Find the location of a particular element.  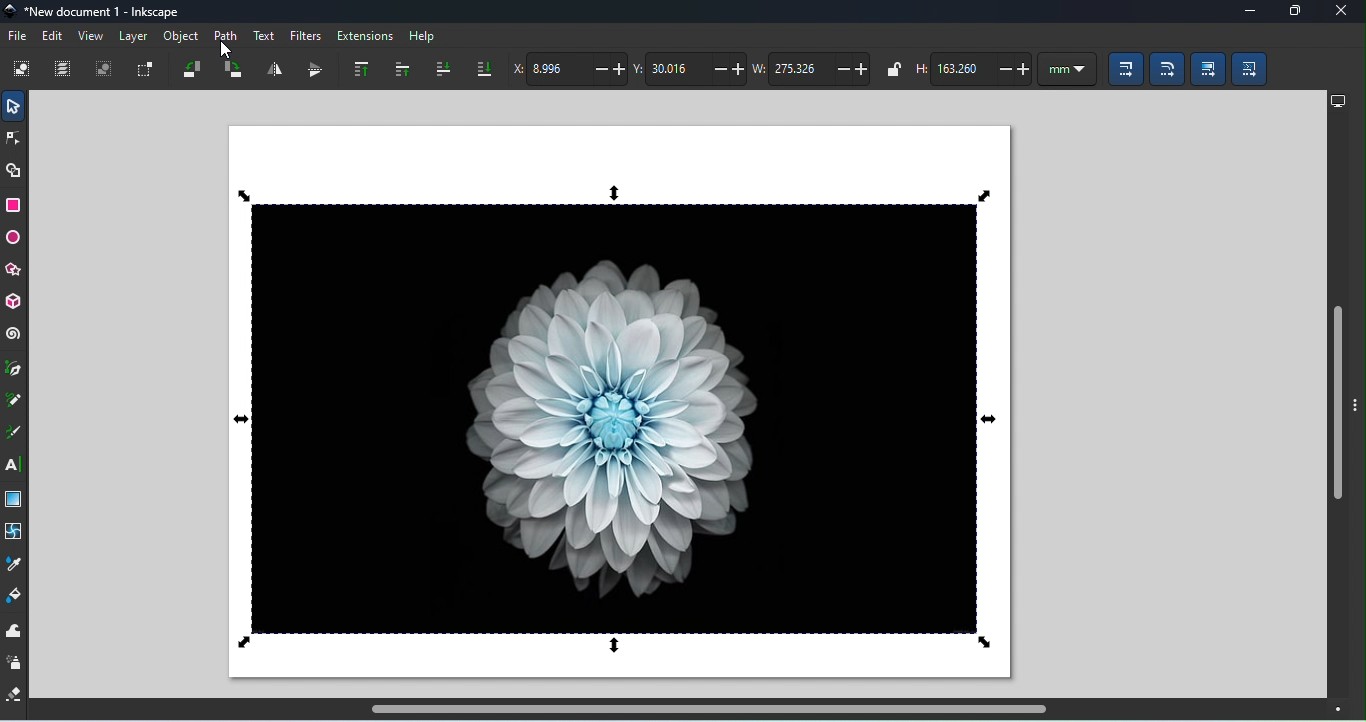

When scaling objects, scale the stroke width by same proportion is located at coordinates (1122, 71).